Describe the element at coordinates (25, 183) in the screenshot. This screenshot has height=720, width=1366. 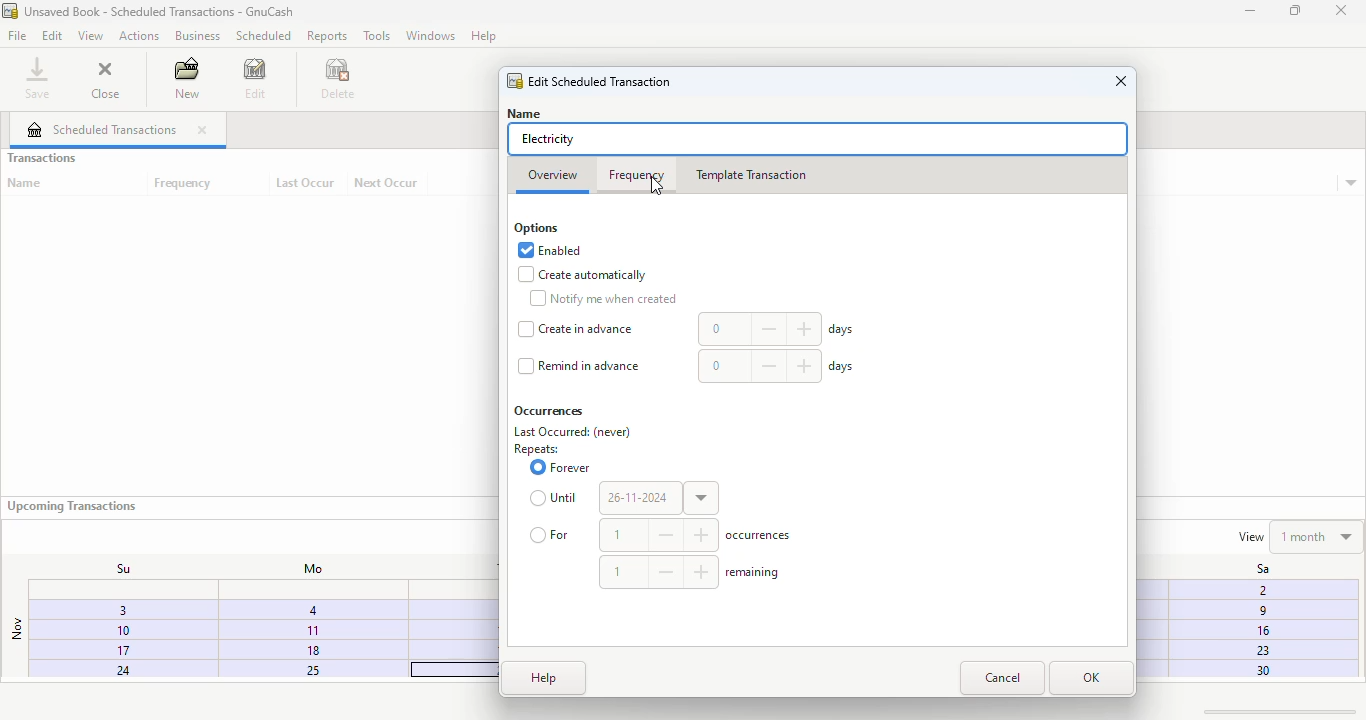
I see `name` at that location.